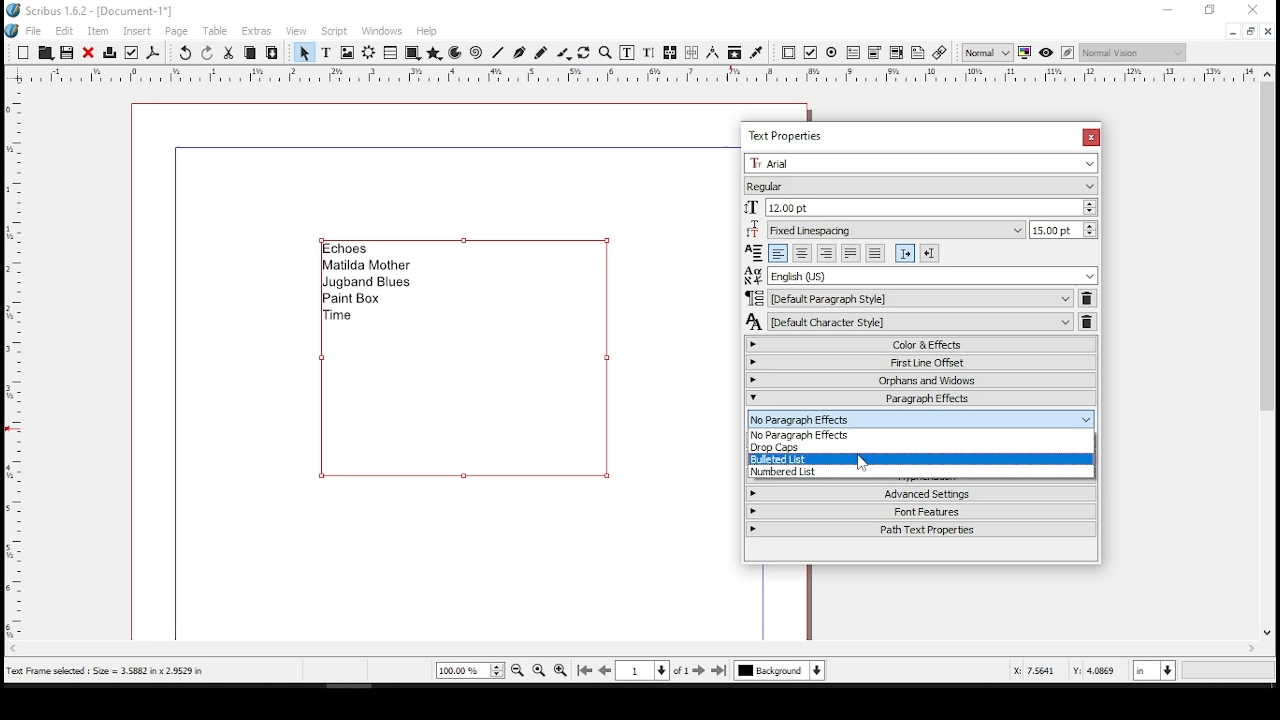  What do you see at coordinates (627, 649) in the screenshot?
I see `scroll bar` at bounding box center [627, 649].